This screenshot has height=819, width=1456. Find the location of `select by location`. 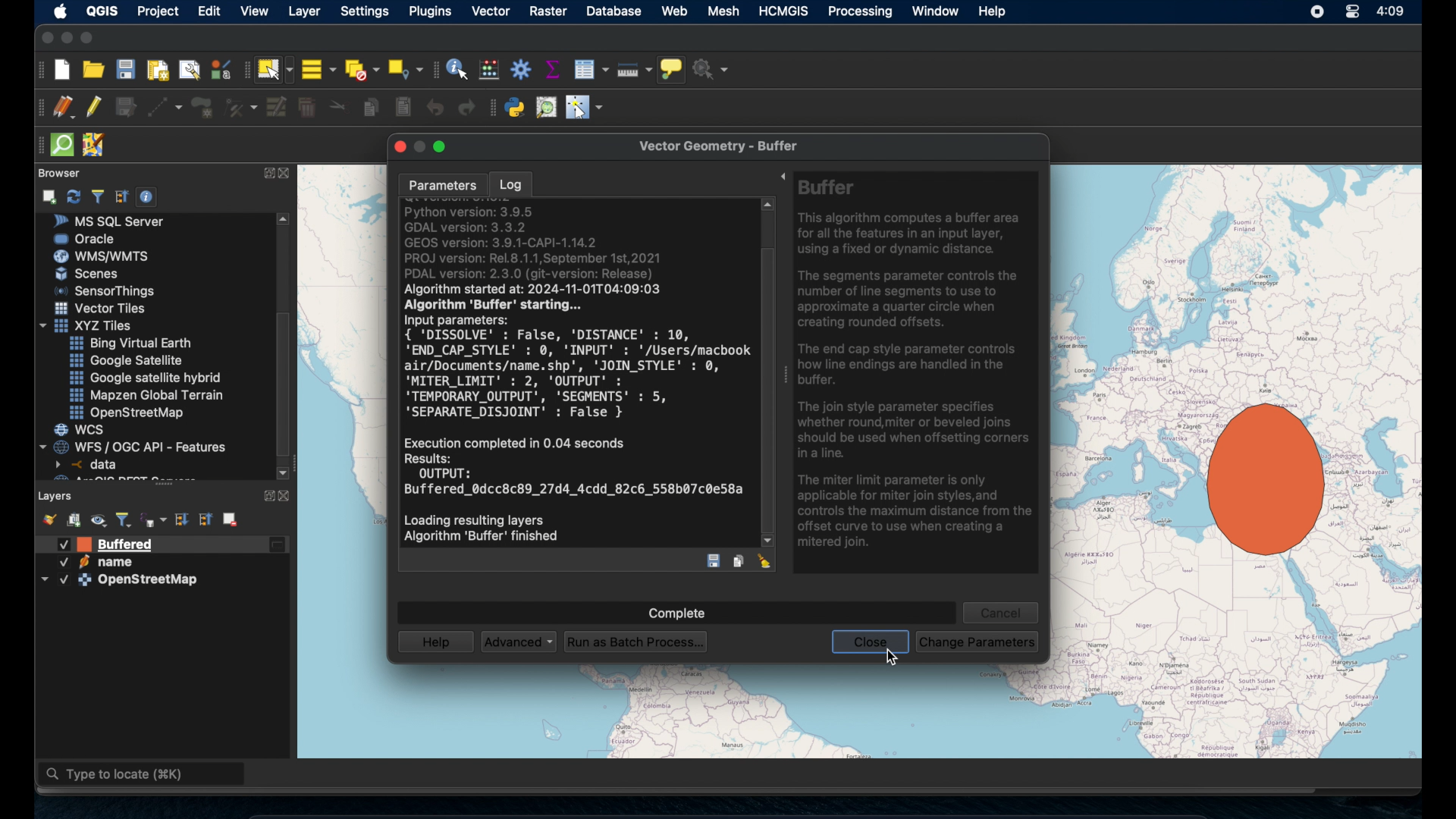

select by location is located at coordinates (406, 67).